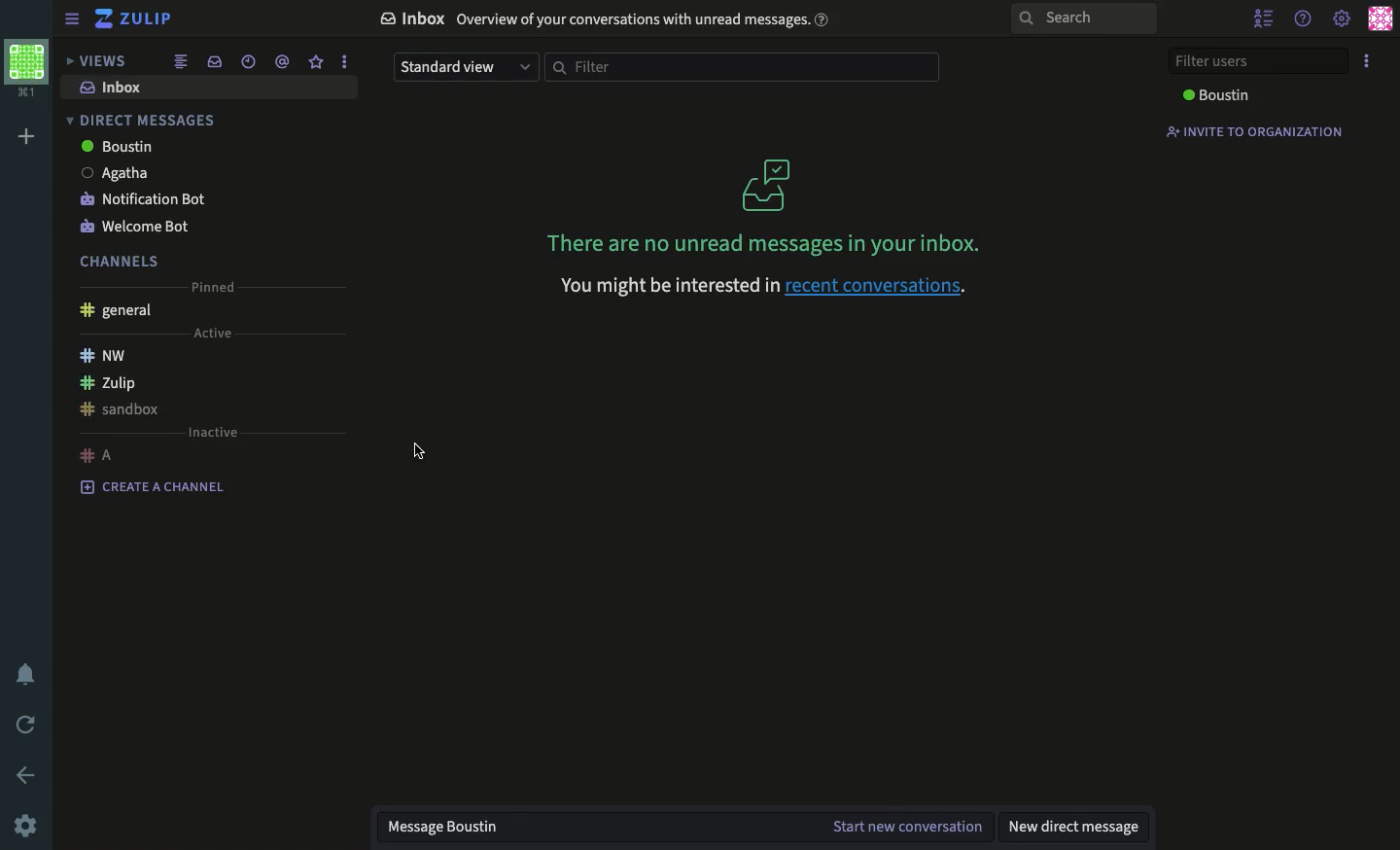  I want to click on standard view, so click(467, 67).